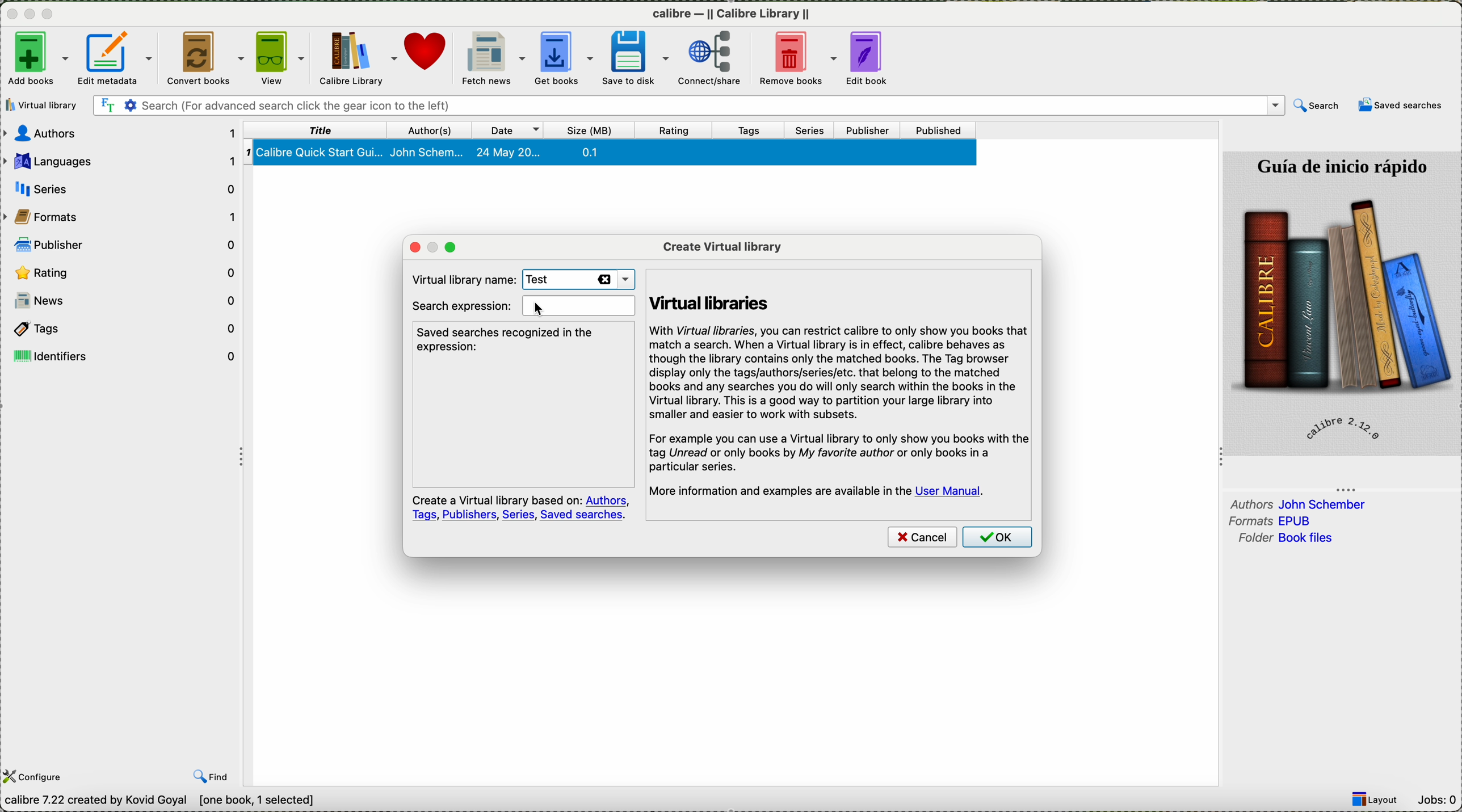 The width and height of the screenshot is (1462, 812). What do you see at coordinates (10, 16) in the screenshot?
I see `close` at bounding box center [10, 16].